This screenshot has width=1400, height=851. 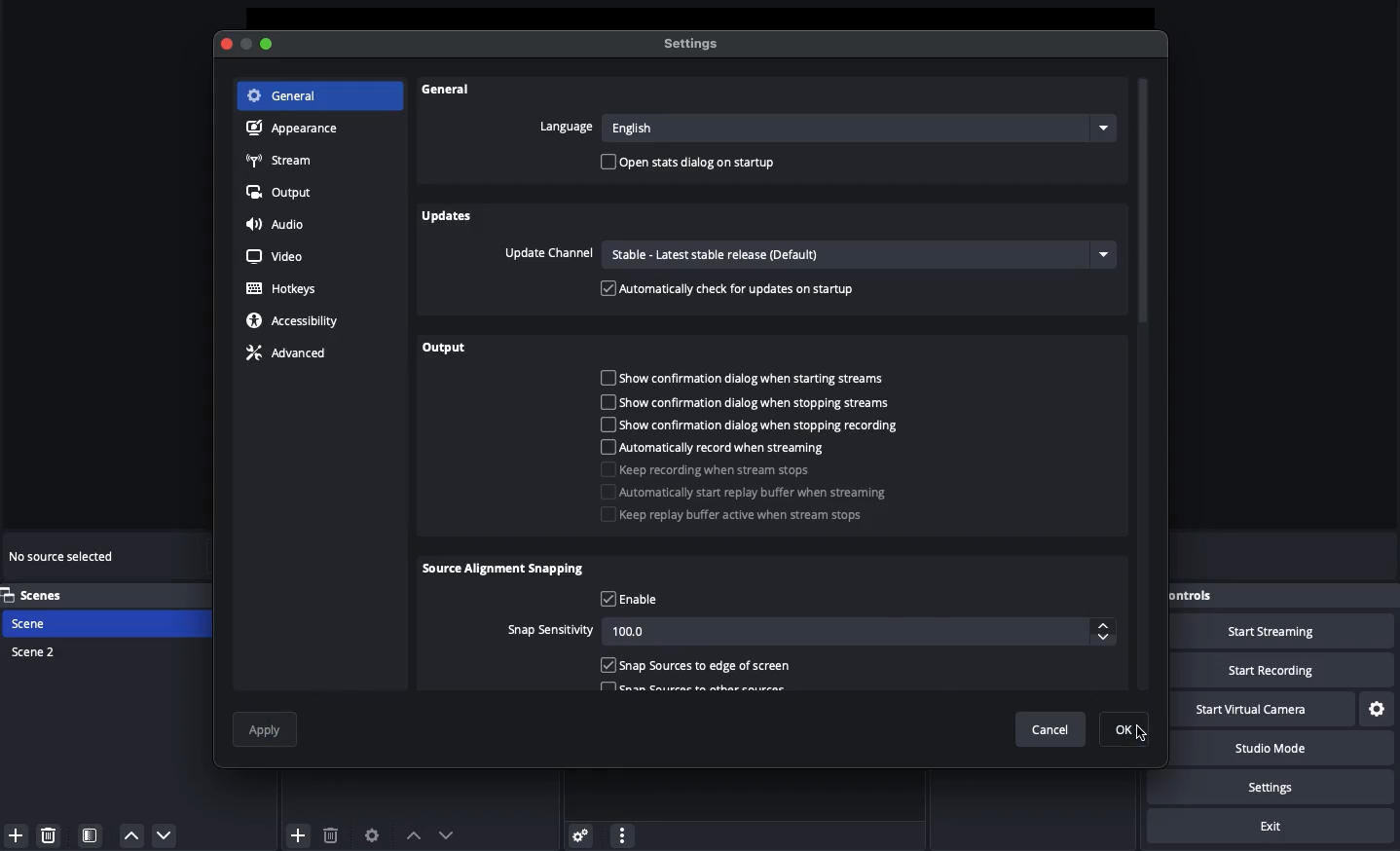 What do you see at coordinates (332, 832) in the screenshot?
I see `Delete` at bounding box center [332, 832].